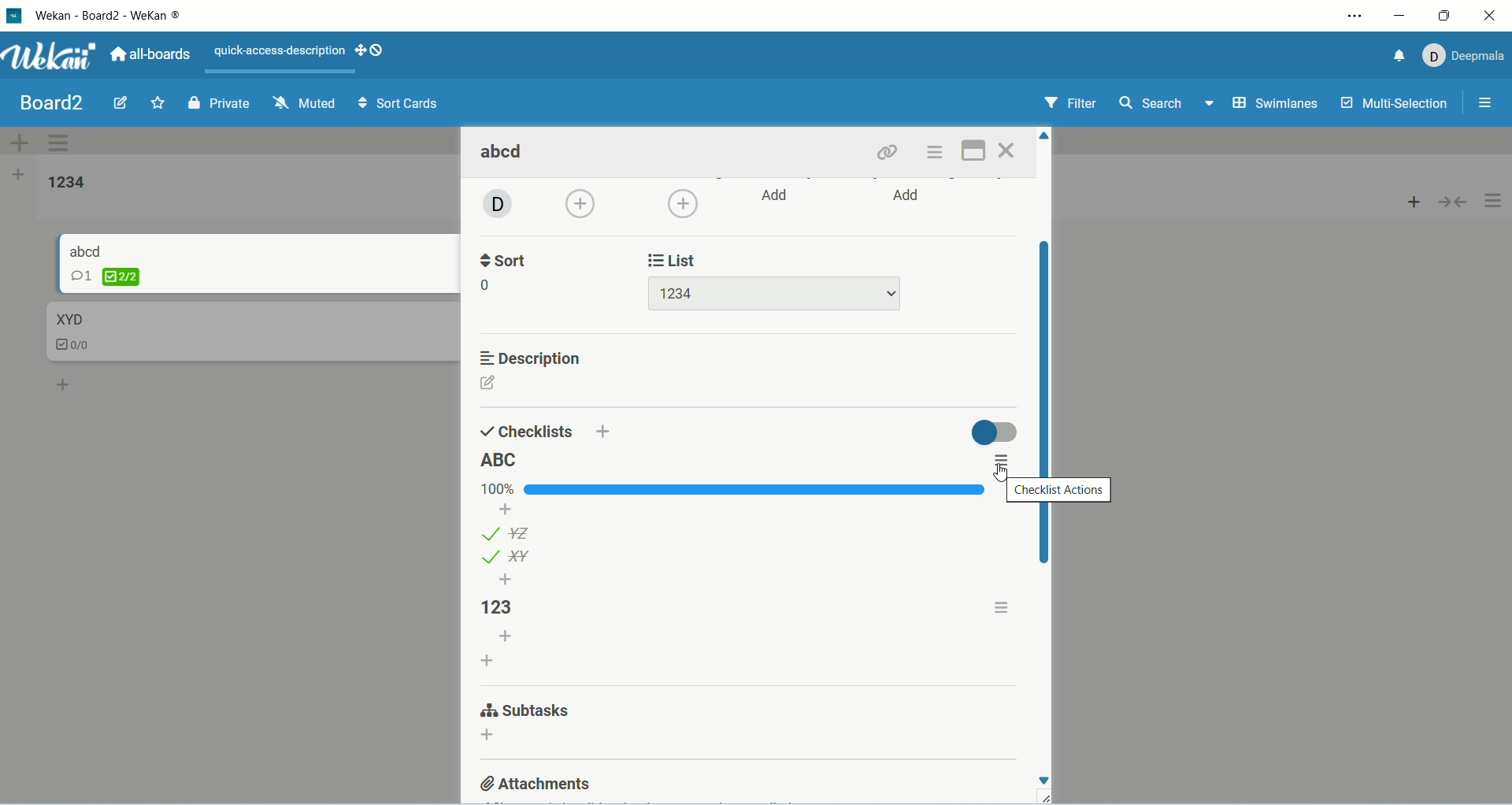  What do you see at coordinates (583, 205) in the screenshot?
I see `add` at bounding box center [583, 205].